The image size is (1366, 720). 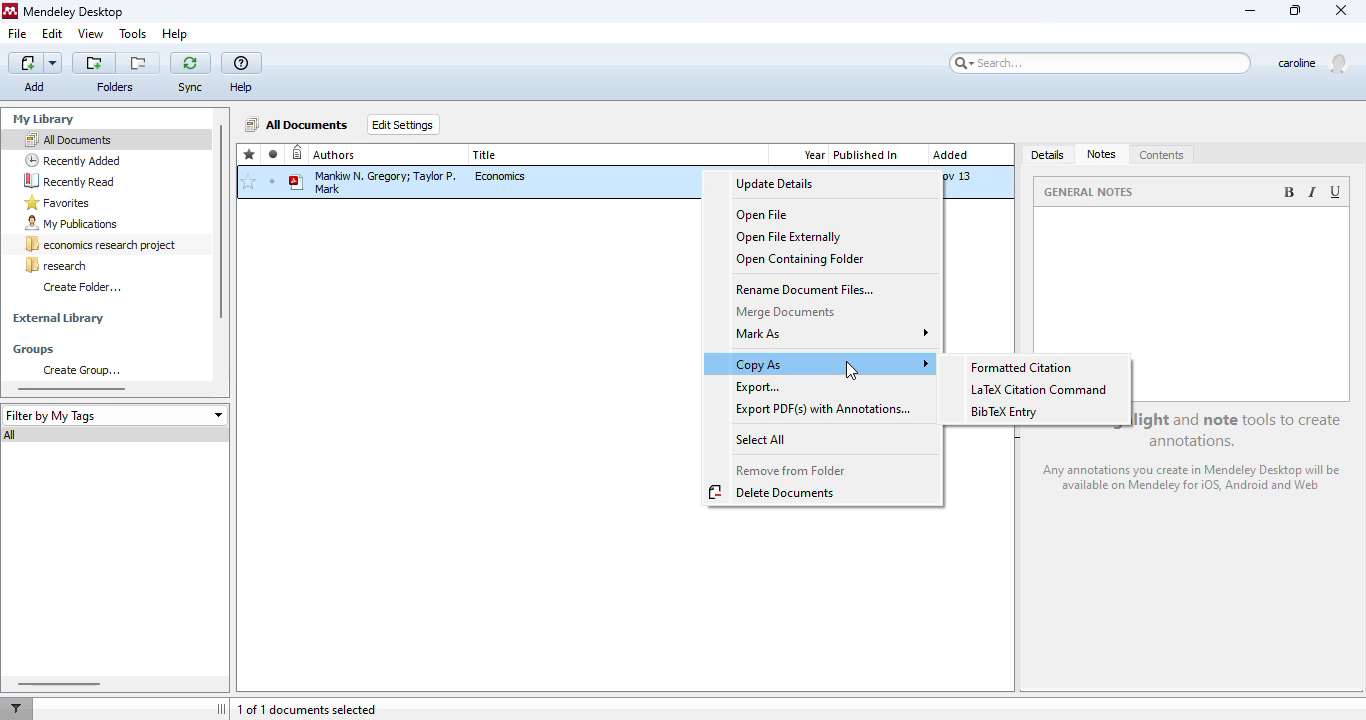 I want to click on open file externally, so click(x=791, y=237).